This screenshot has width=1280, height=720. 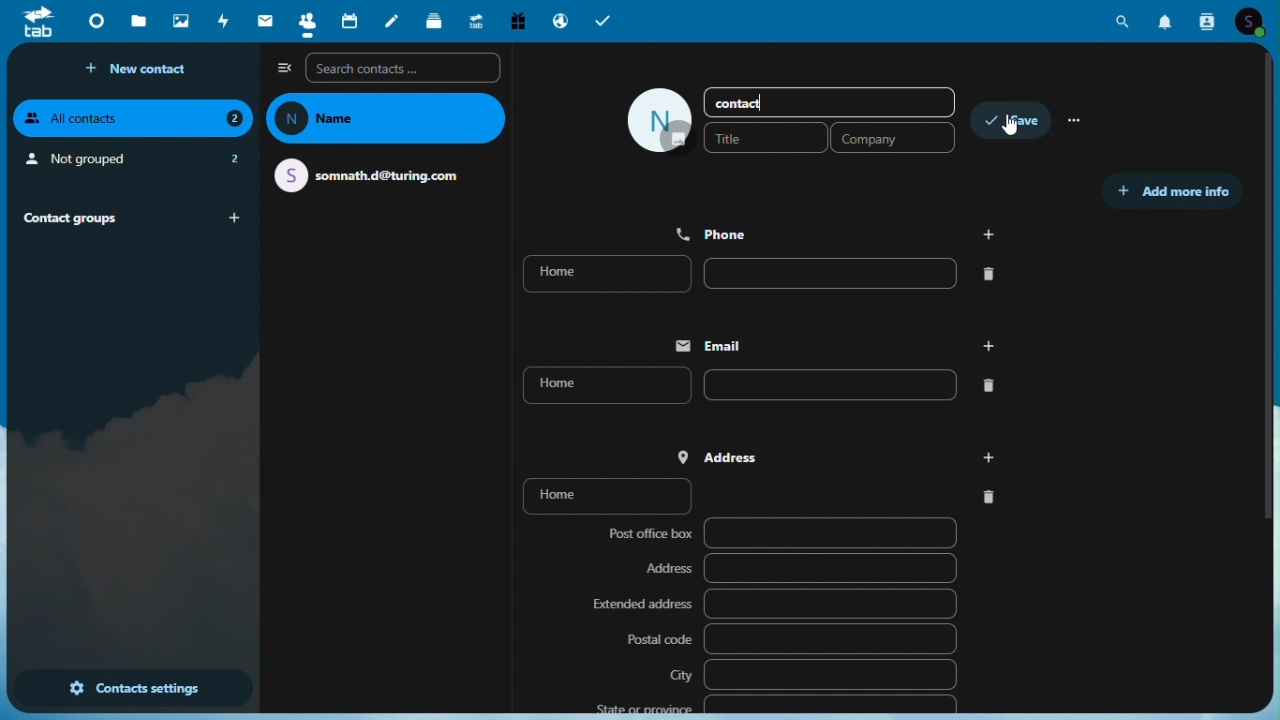 What do you see at coordinates (769, 274) in the screenshot?
I see `home` at bounding box center [769, 274].